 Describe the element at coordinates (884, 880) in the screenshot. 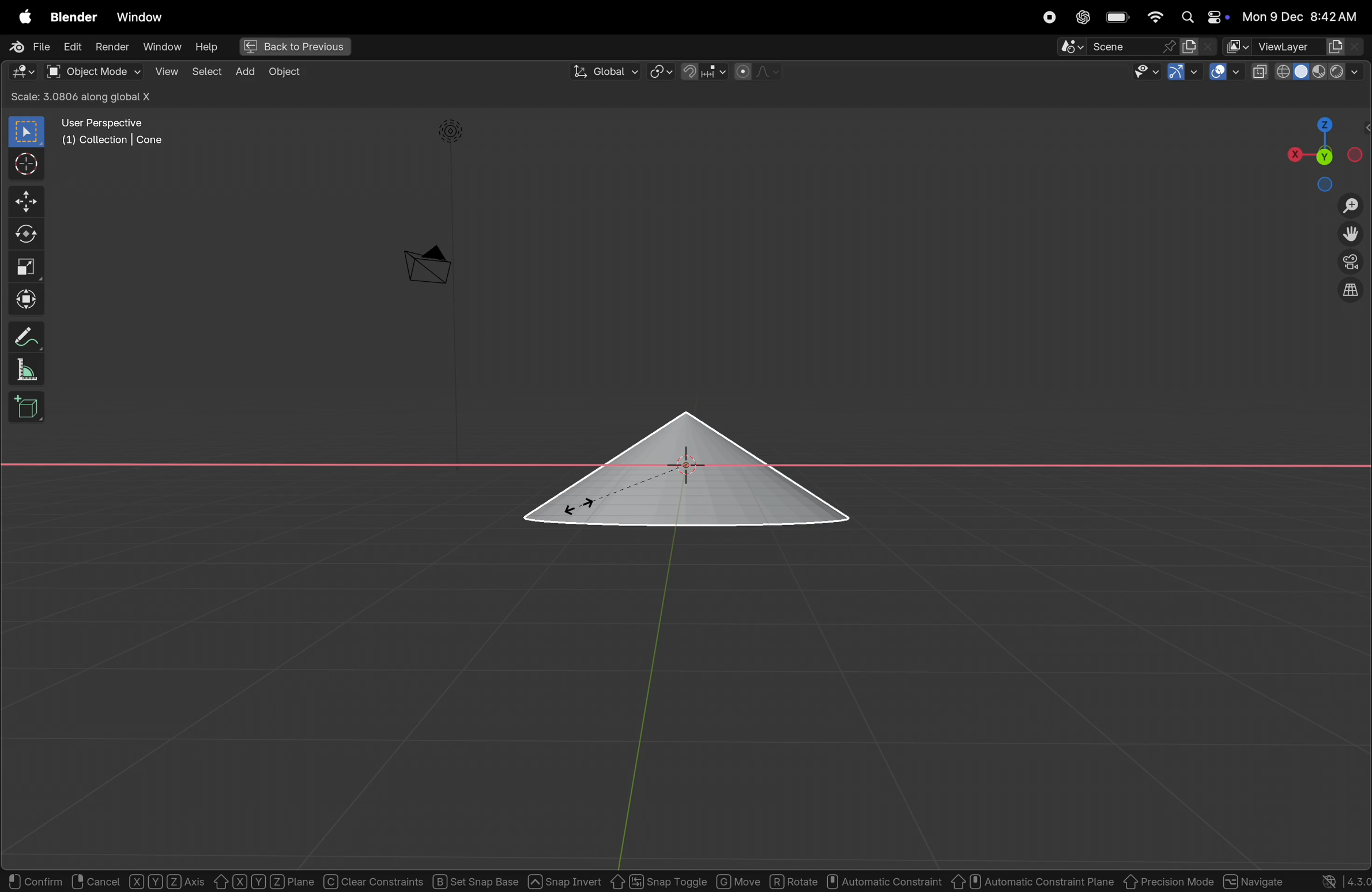

I see `automatic constraint` at that location.